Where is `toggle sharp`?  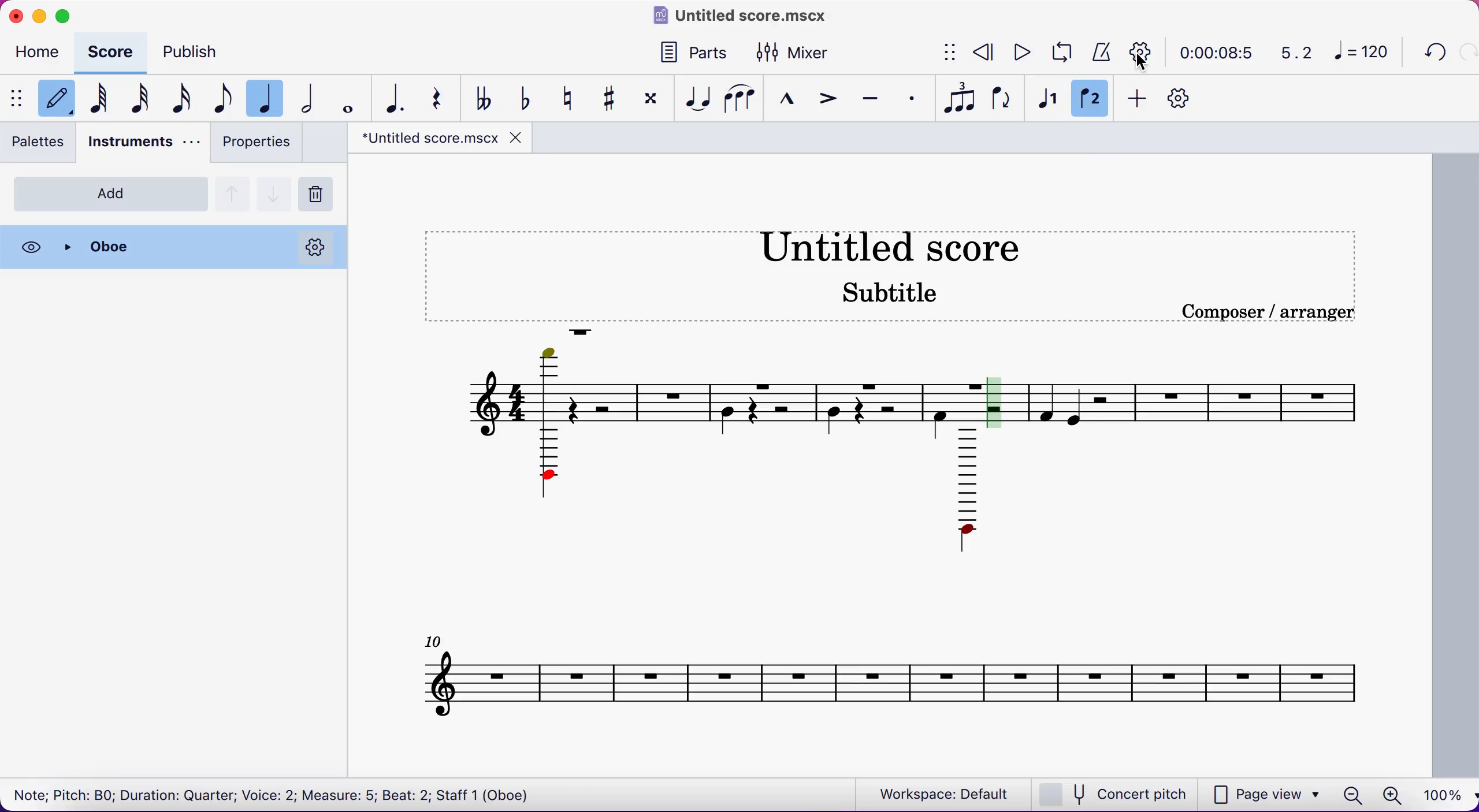
toggle sharp is located at coordinates (615, 99).